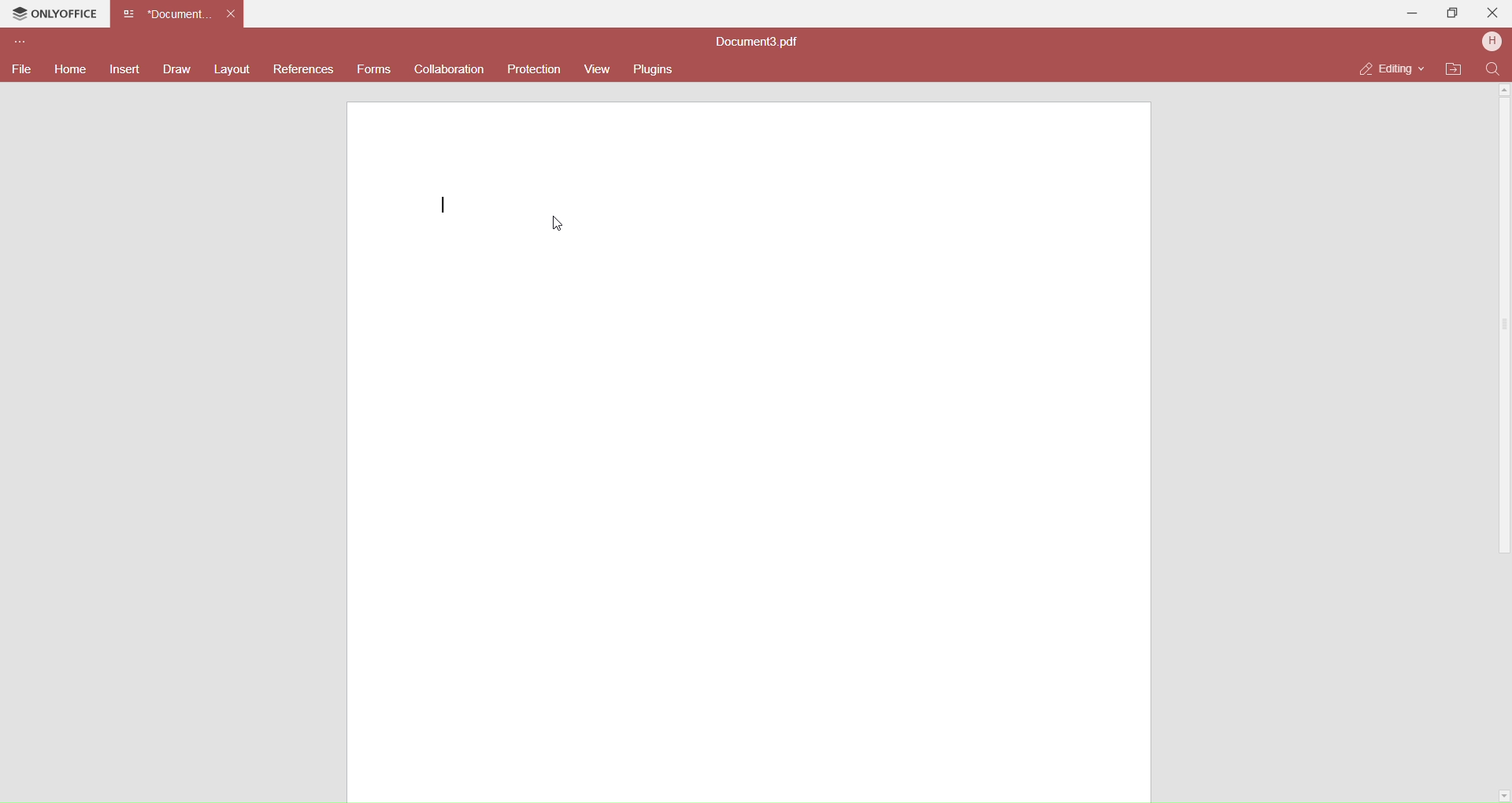 The image size is (1512, 803). What do you see at coordinates (1454, 16) in the screenshot?
I see `Maximize` at bounding box center [1454, 16].